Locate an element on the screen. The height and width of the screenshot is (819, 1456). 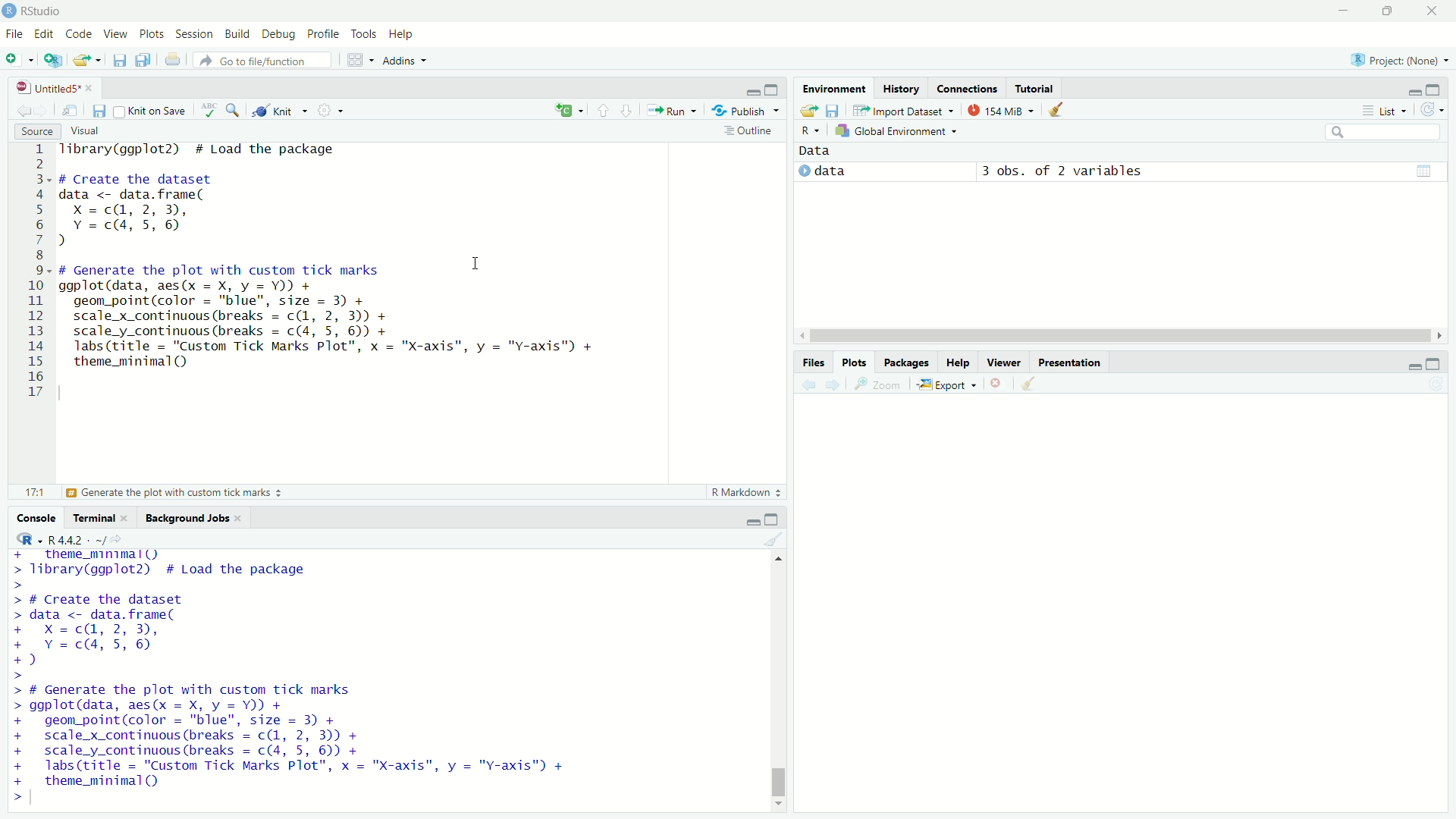
previous plot is located at coordinates (804, 384).